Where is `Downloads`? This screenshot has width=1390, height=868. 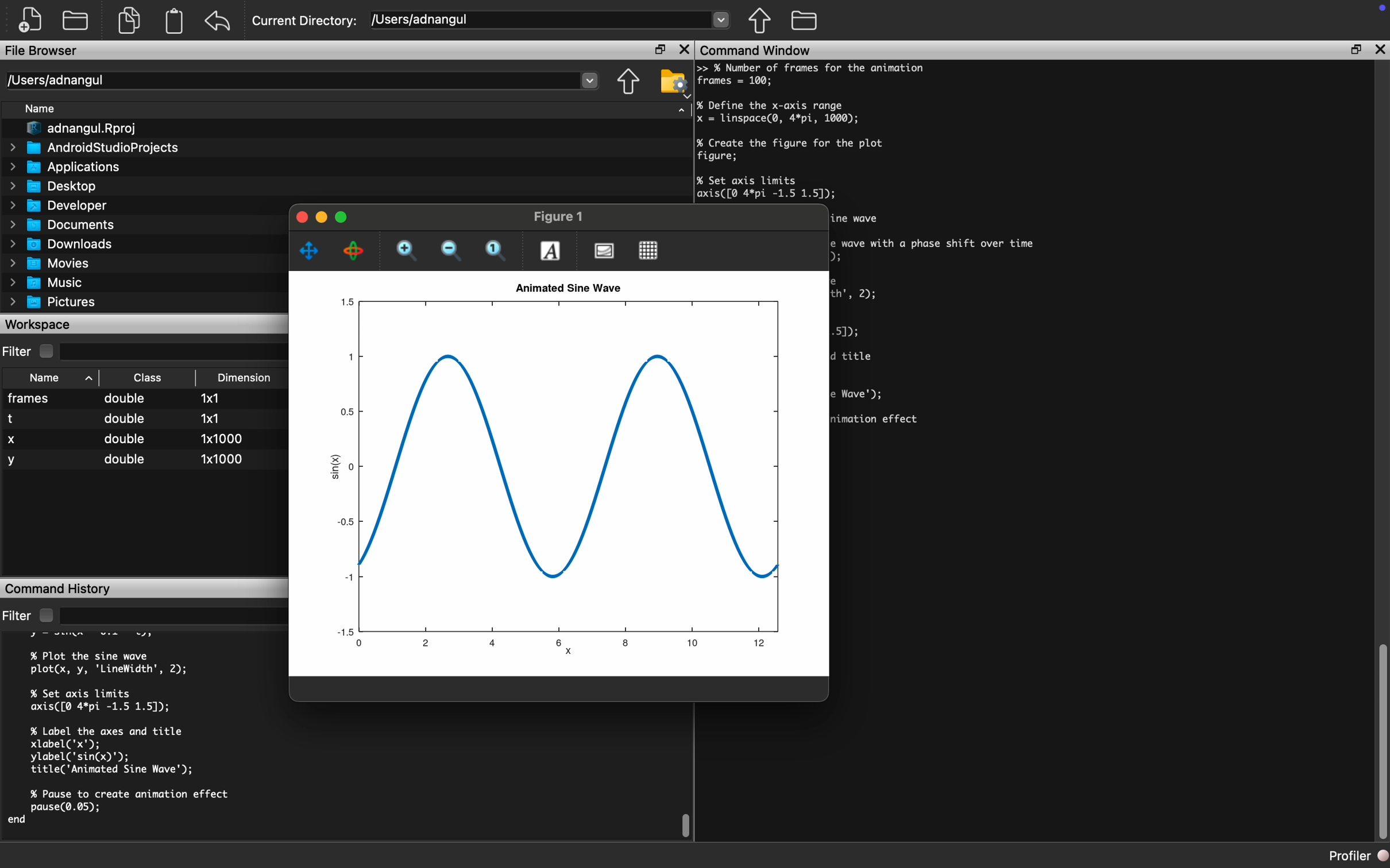
Downloads is located at coordinates (63, 246).